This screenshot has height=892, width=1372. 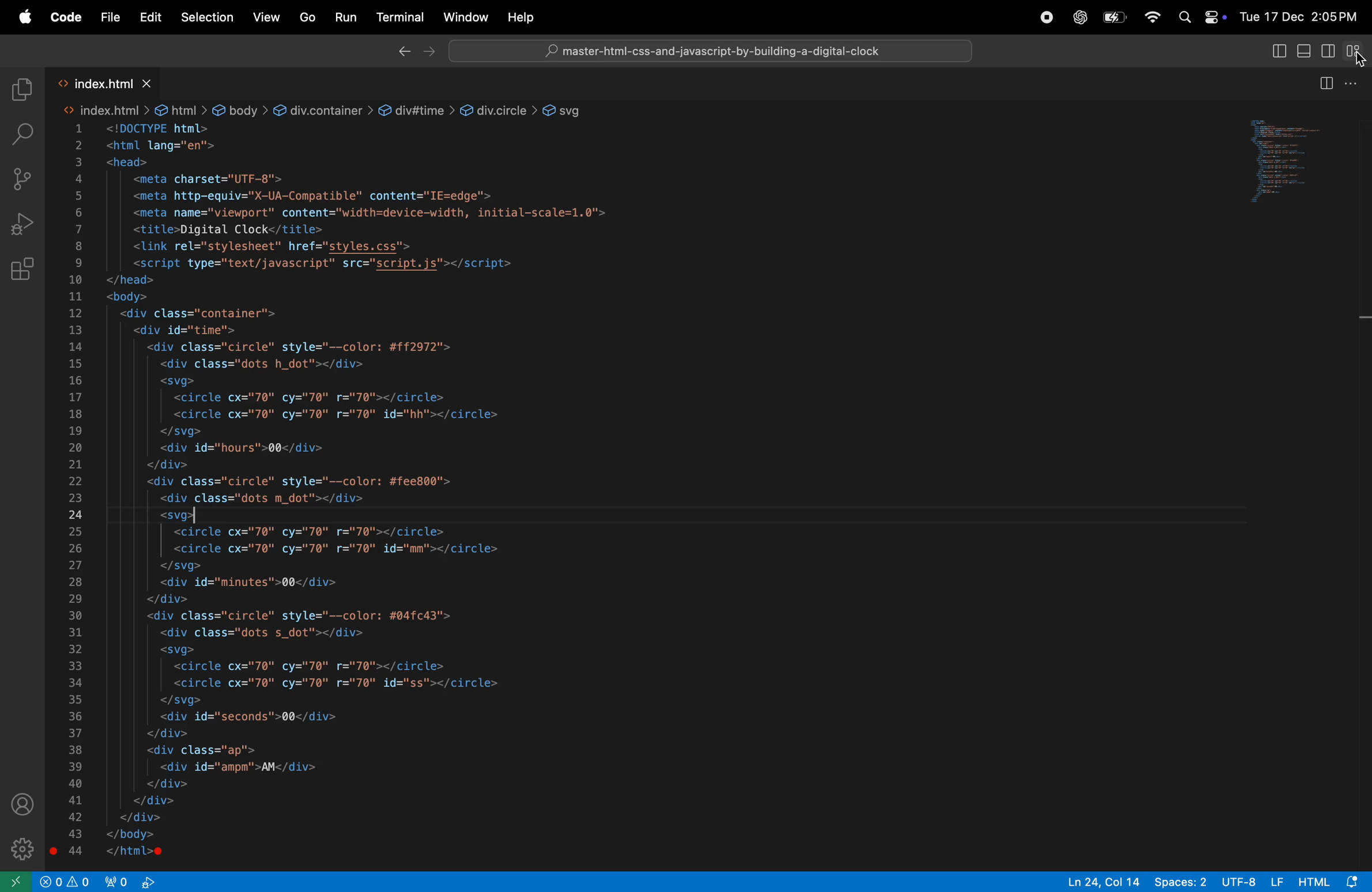 What do you see at coordinates (1098, 880) in the screenshot?
I see `ln 24, col 14` at bounding box center [1098, 880].